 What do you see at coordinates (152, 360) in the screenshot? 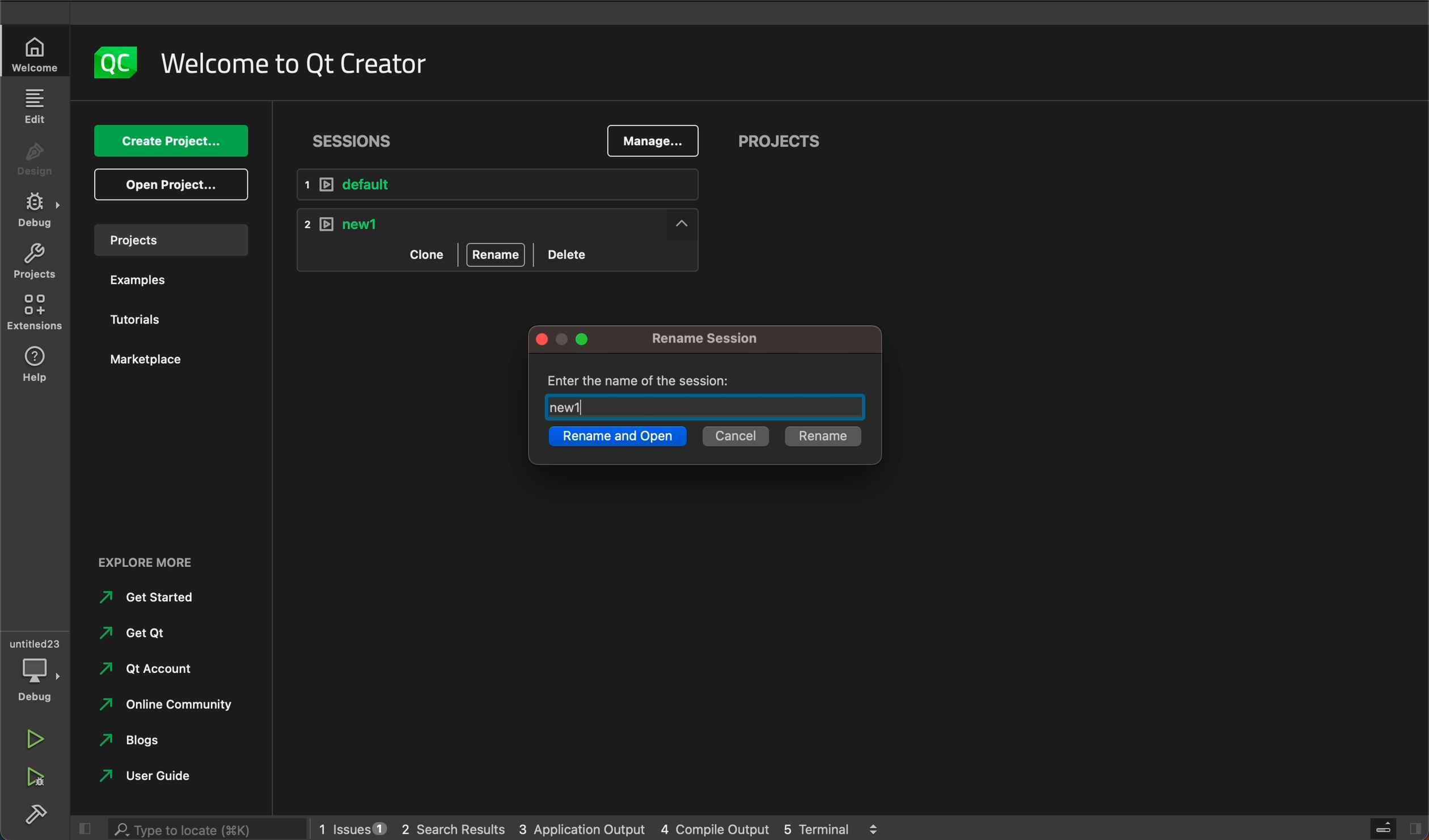
I see `marketplace` at bounding box center [152, 360].